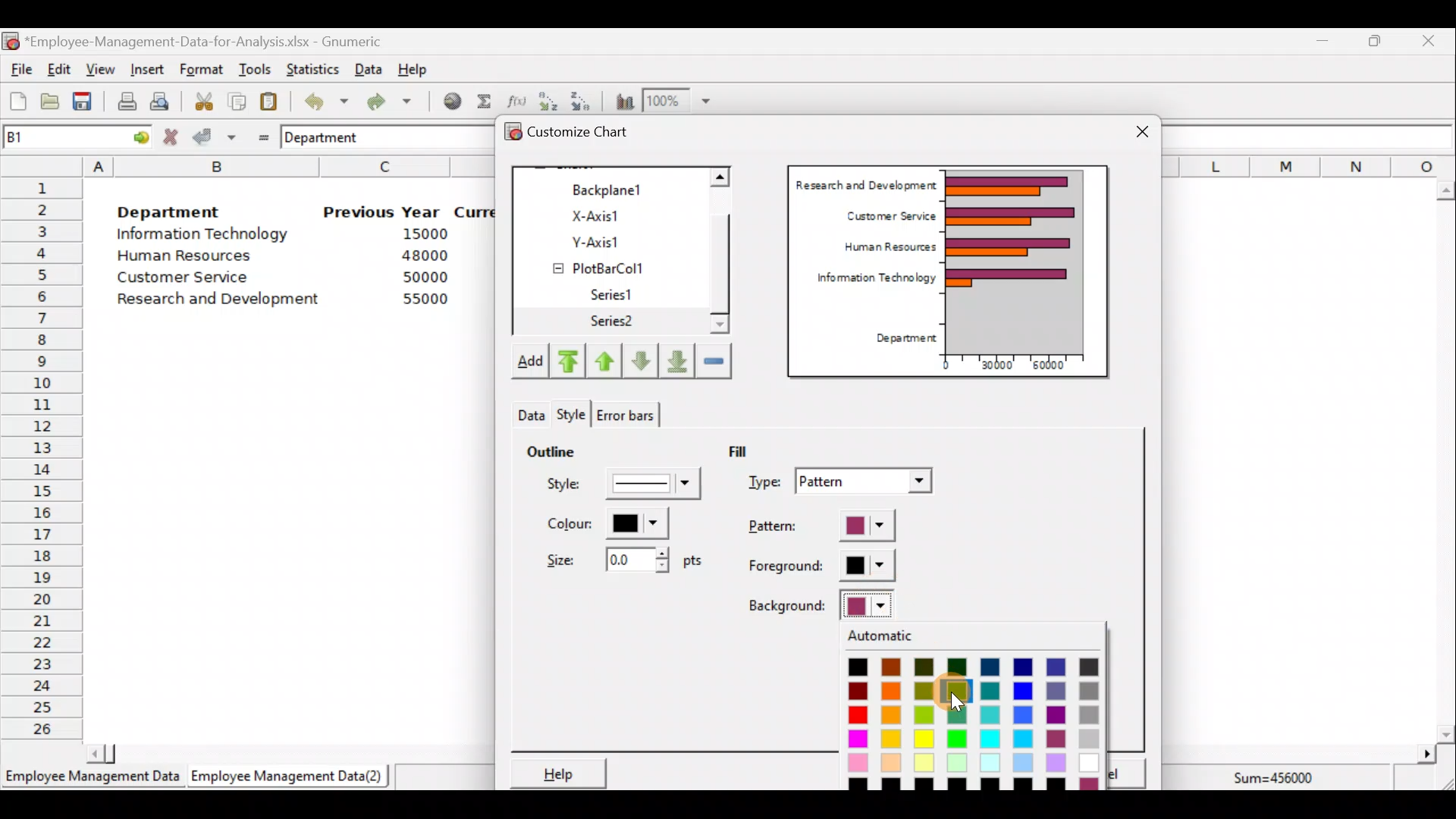 This screenshot has height=819, width=1456. What do you see at coordinates (168, 208) in the screenshot?
I see `Department` at bounding box center [168, 208].